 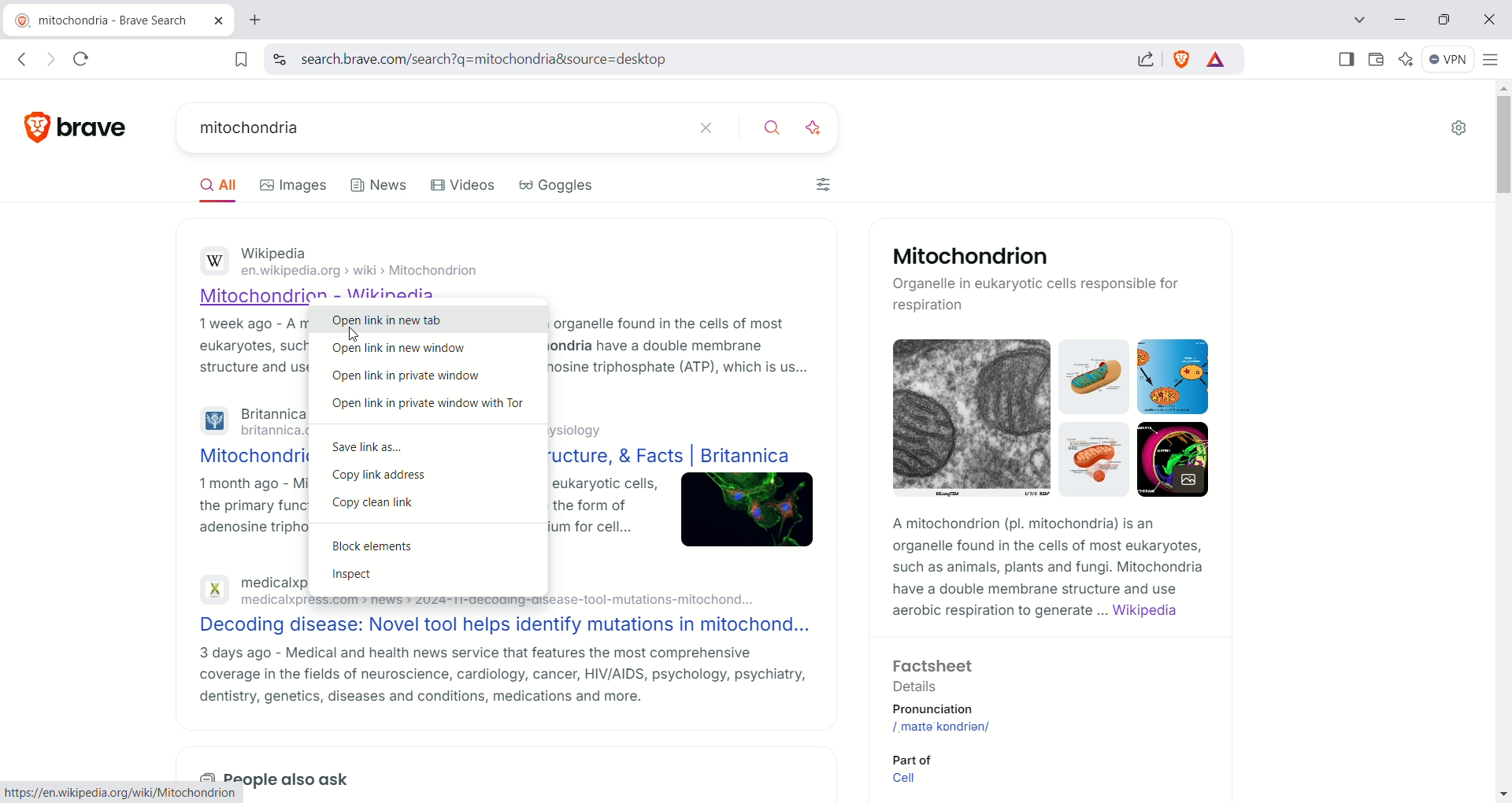 What do you see at coordinates (1377, 60) in the screenshot?
I see `wallet` at bounding box center [1377, 60].